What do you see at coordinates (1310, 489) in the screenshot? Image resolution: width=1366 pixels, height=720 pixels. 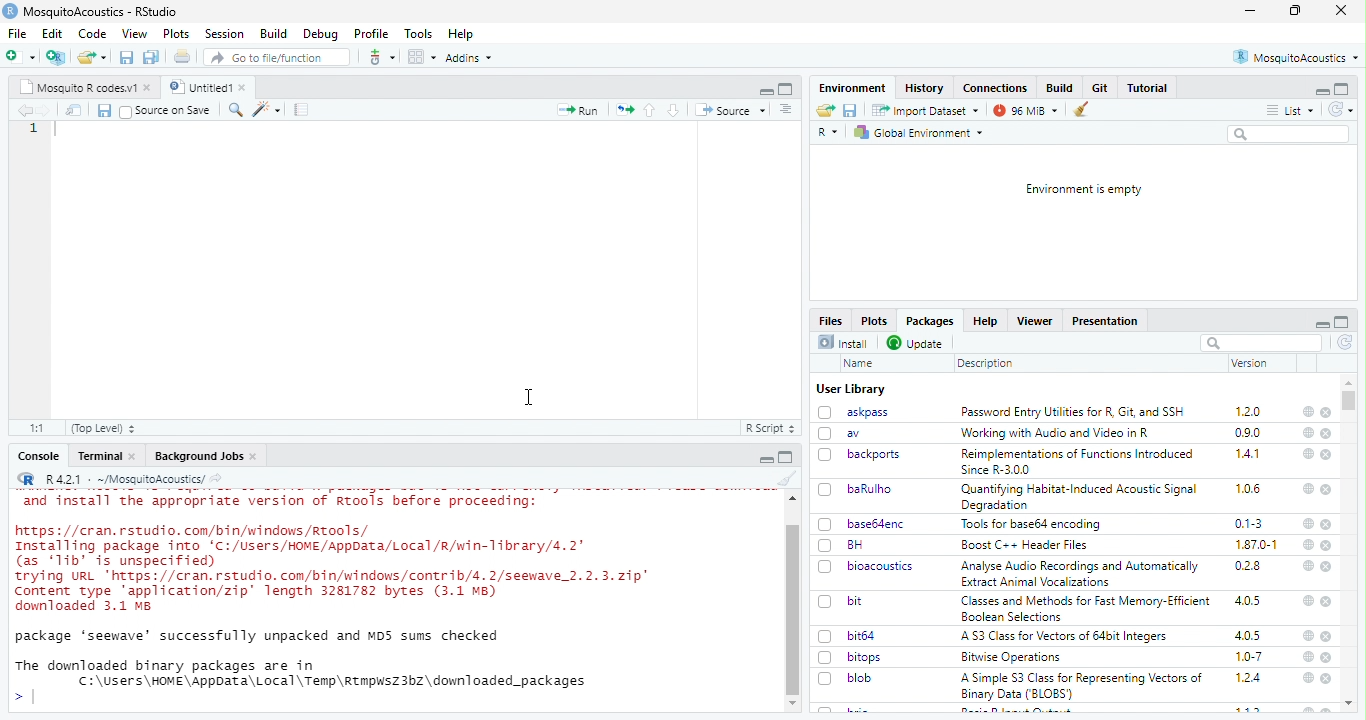 I see `web` at bounding box center [1310, 489].